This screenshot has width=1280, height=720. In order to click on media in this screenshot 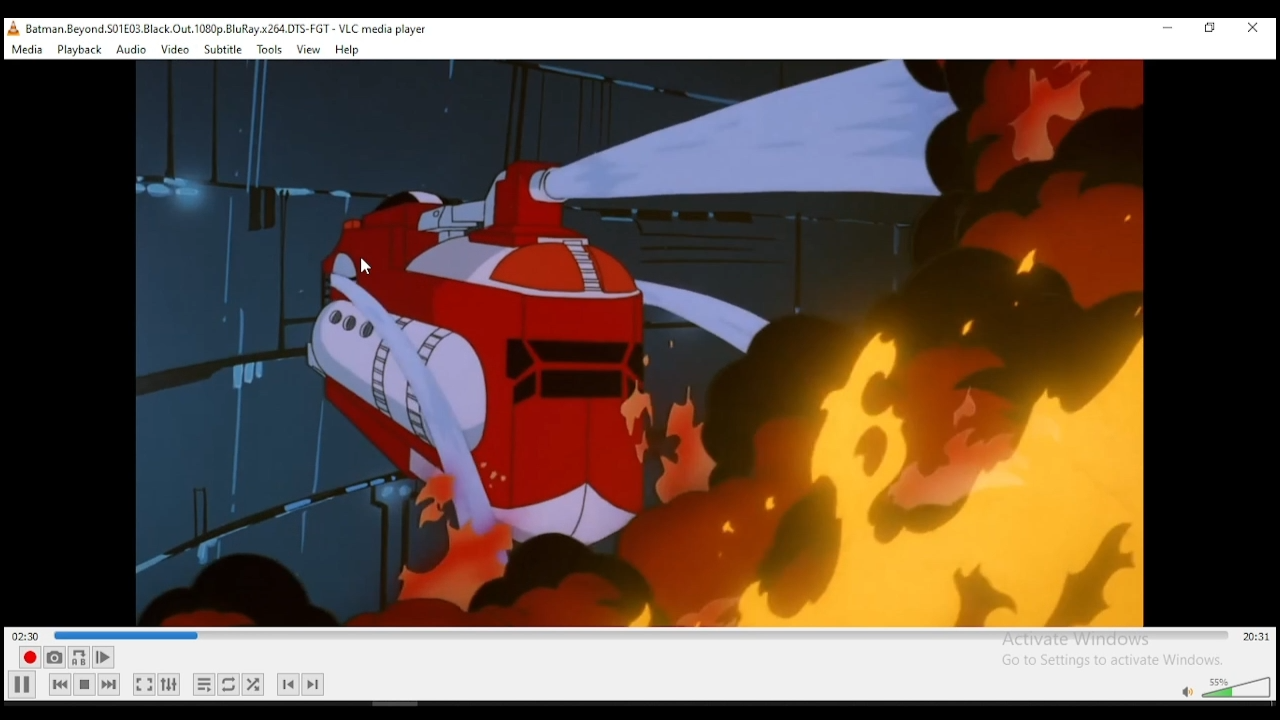, I will do `click(26, 49)`.